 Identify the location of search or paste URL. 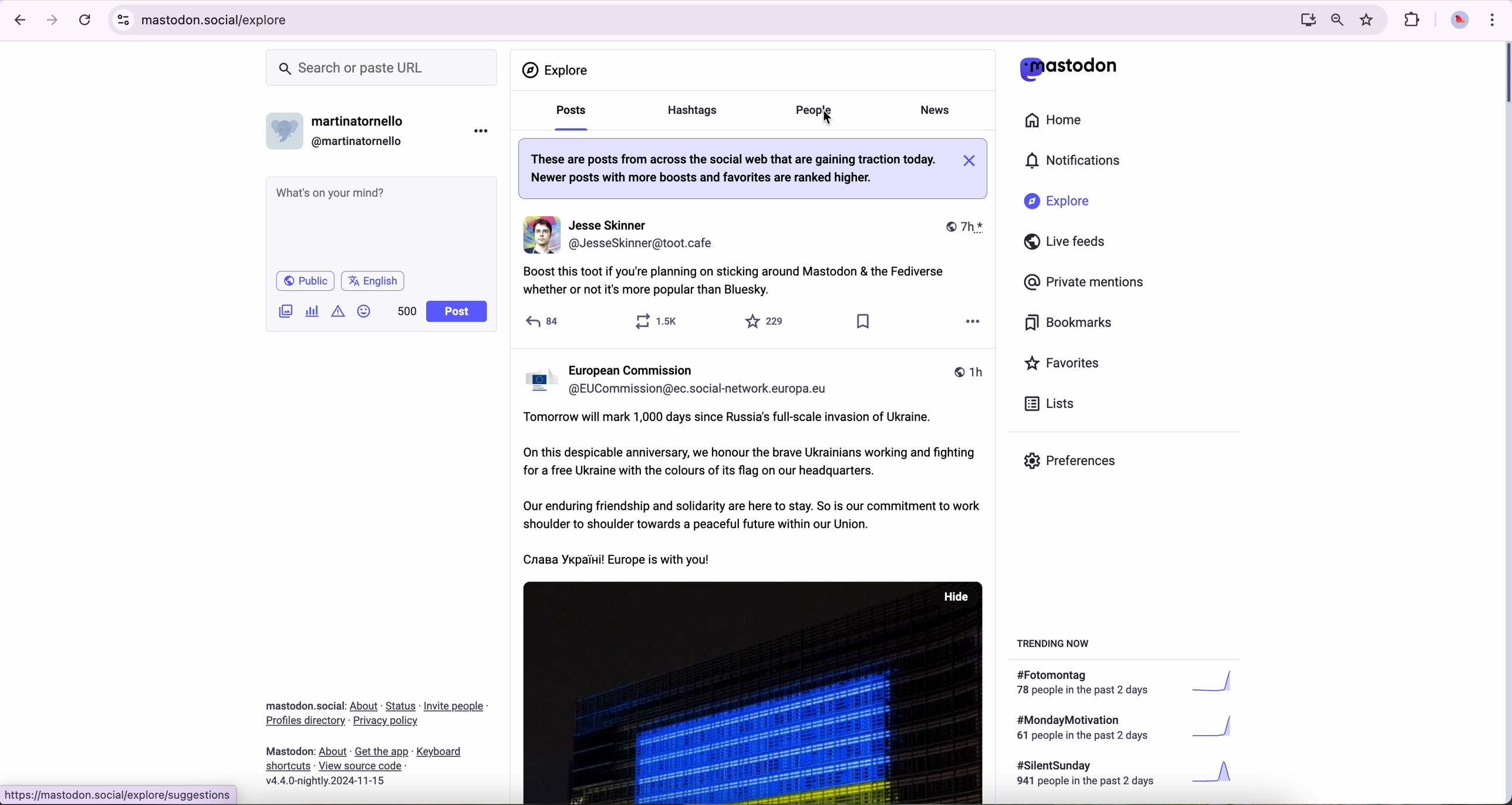
(382, 68).